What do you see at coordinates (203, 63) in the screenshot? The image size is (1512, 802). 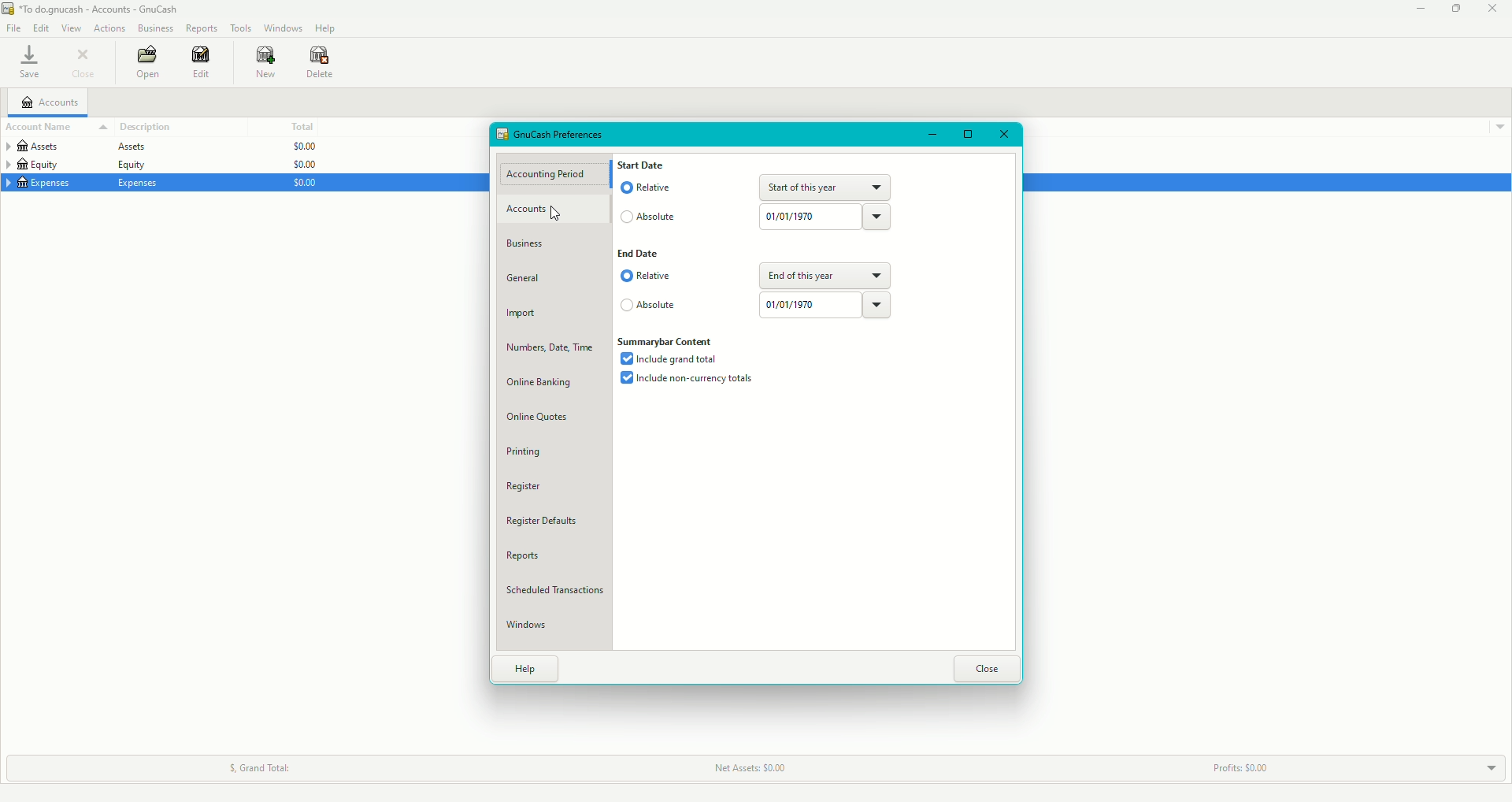 I see `Edit` at bounding box center [203, 63].